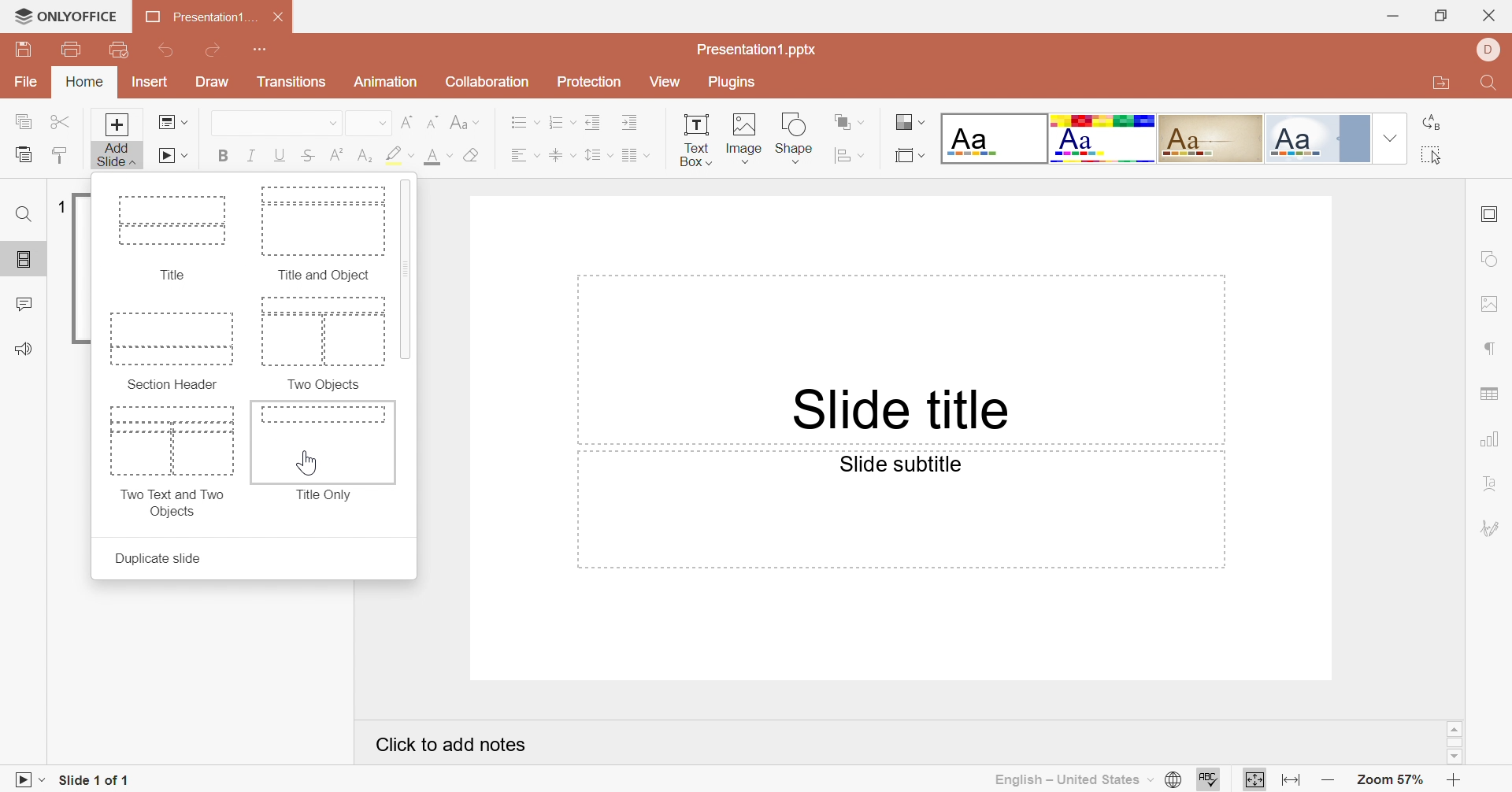 The height and width of the screenshot is (792, 1512). I want to click on Zoom 57%, so click(1389, 779).